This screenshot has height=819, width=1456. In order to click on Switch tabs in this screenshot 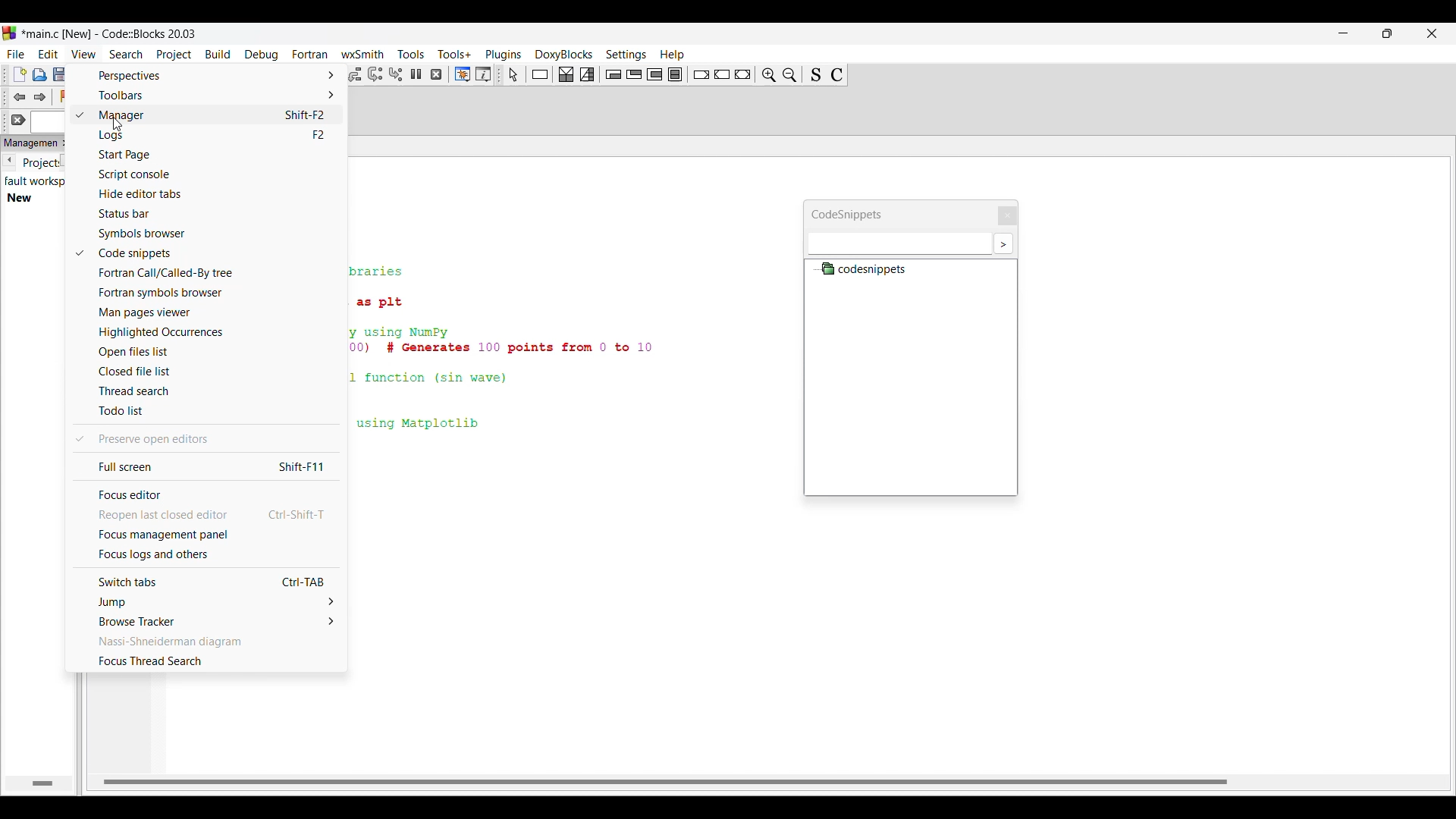, I will do `click(209, 581)`.